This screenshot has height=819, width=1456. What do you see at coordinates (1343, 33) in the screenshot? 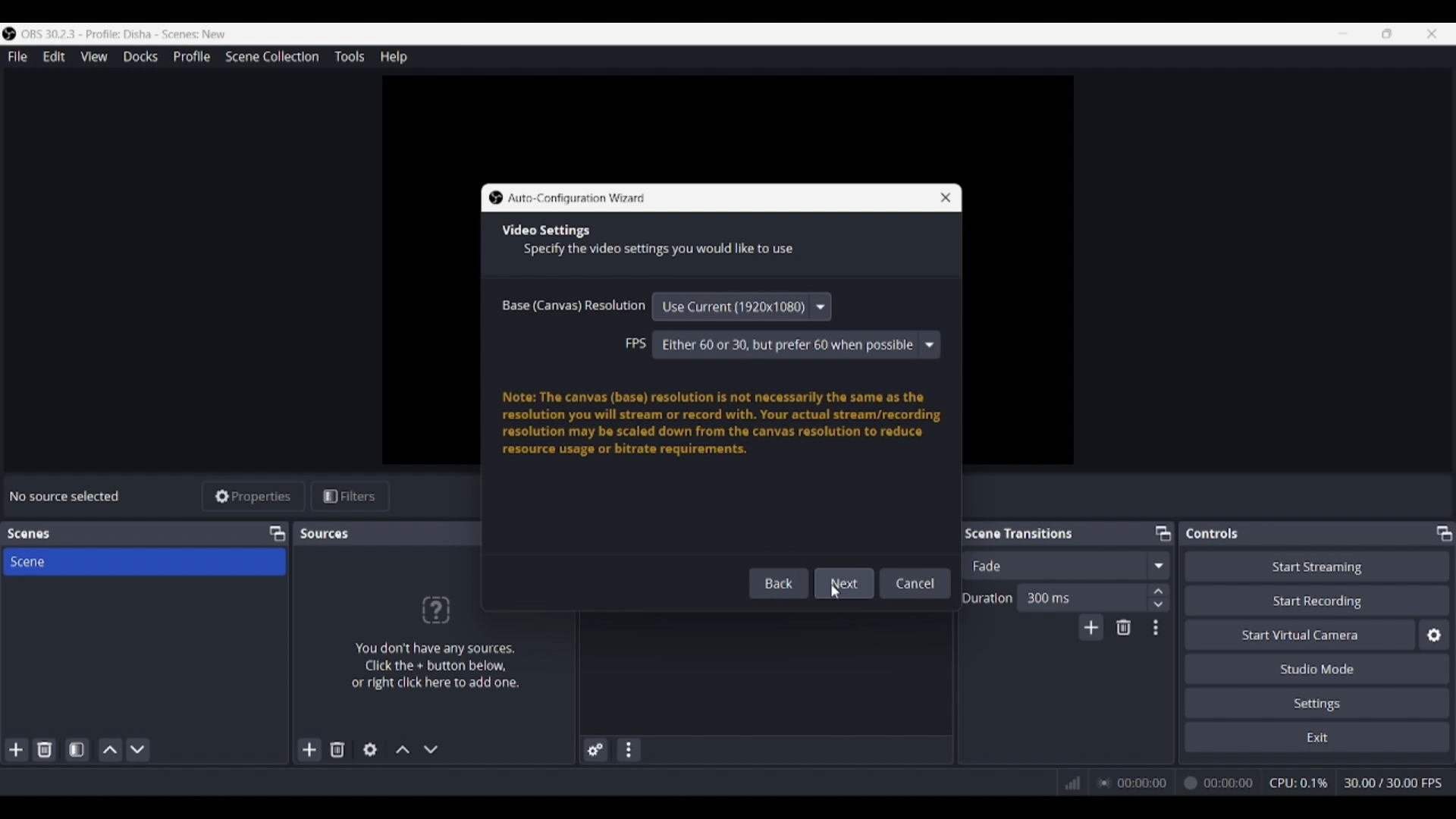
I see `Minimize` at bounding box center [1343, 33].